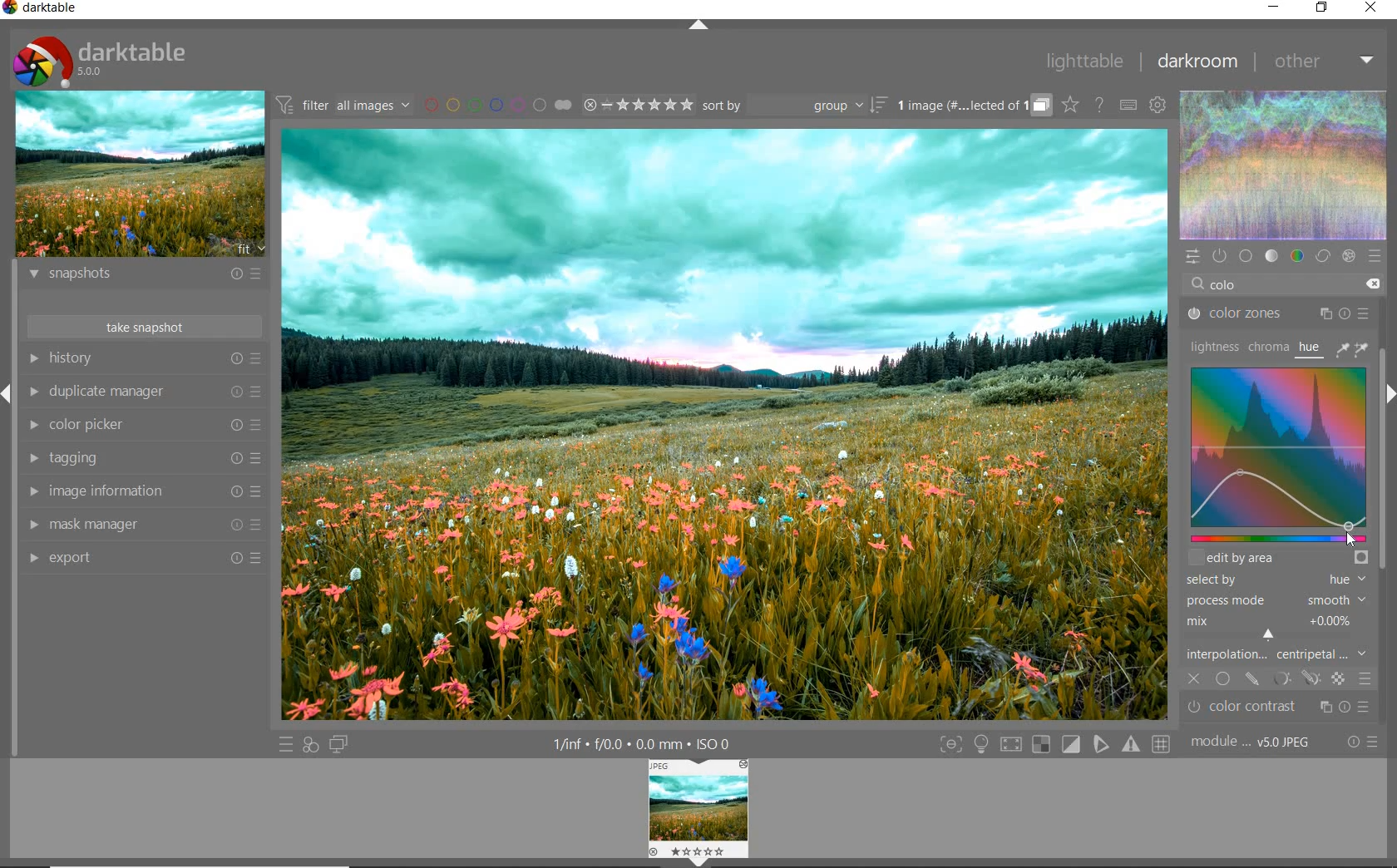 Image resolution: width=1397 pixels, height=868 pixels. I want to click on tagging, so click(142, 459).